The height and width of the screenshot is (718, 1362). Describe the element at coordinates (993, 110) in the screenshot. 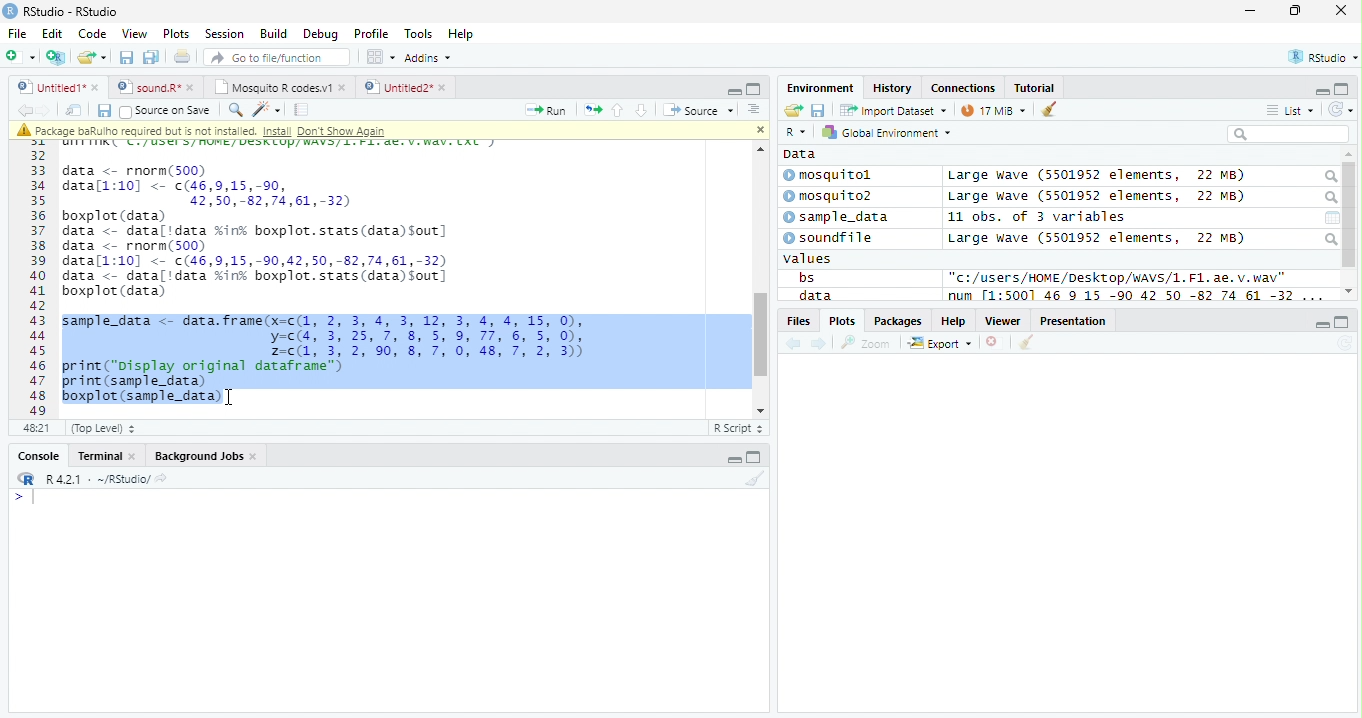

I see `17 MiB` at that location.